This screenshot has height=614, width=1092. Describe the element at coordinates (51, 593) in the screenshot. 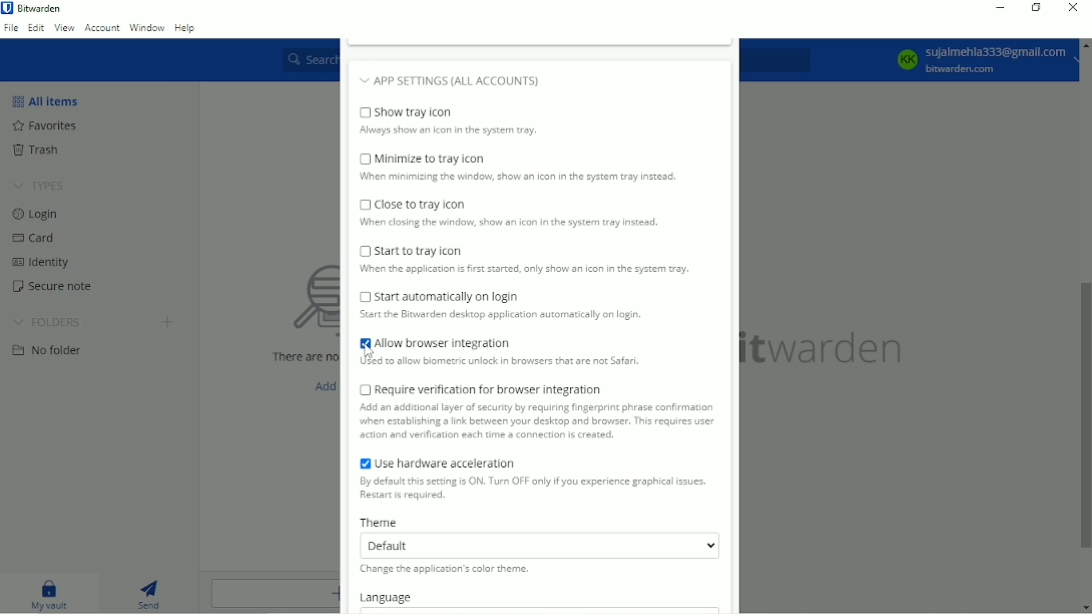

I see `My vault` at that location.